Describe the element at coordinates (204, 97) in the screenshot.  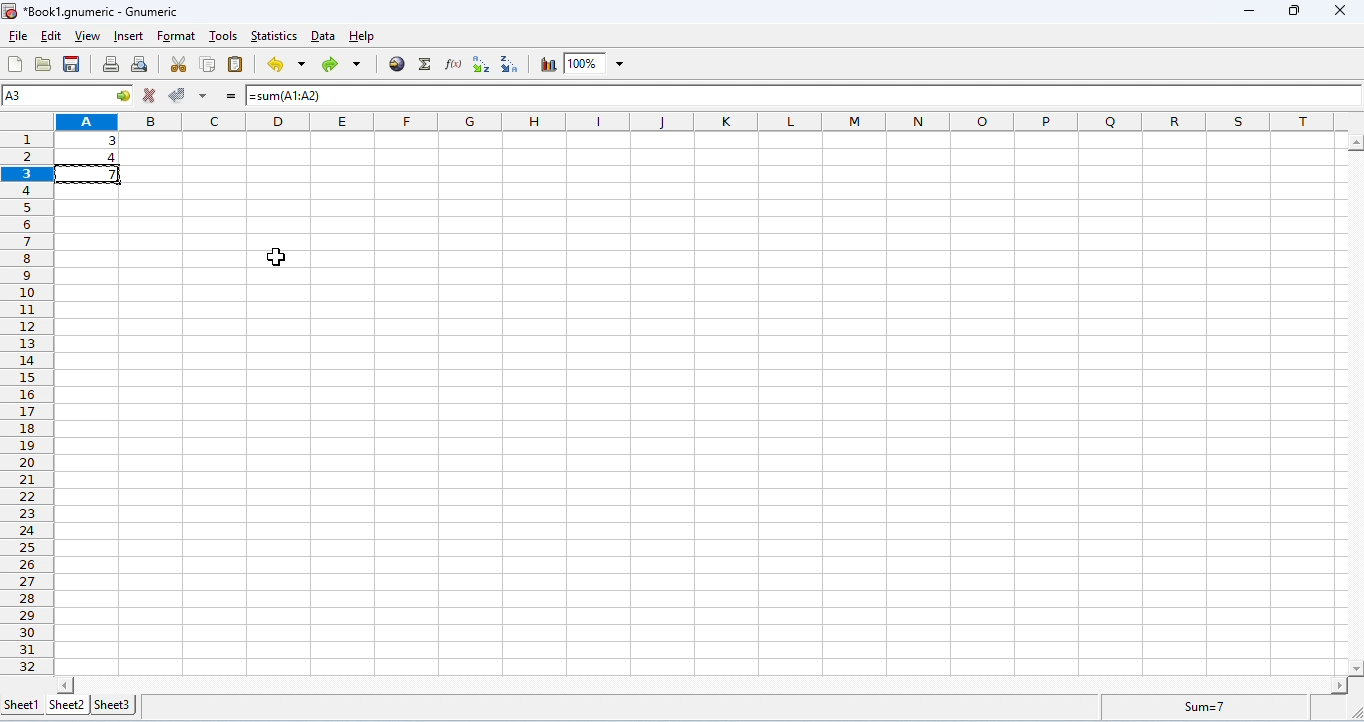
I see `accept multiple` at that location.